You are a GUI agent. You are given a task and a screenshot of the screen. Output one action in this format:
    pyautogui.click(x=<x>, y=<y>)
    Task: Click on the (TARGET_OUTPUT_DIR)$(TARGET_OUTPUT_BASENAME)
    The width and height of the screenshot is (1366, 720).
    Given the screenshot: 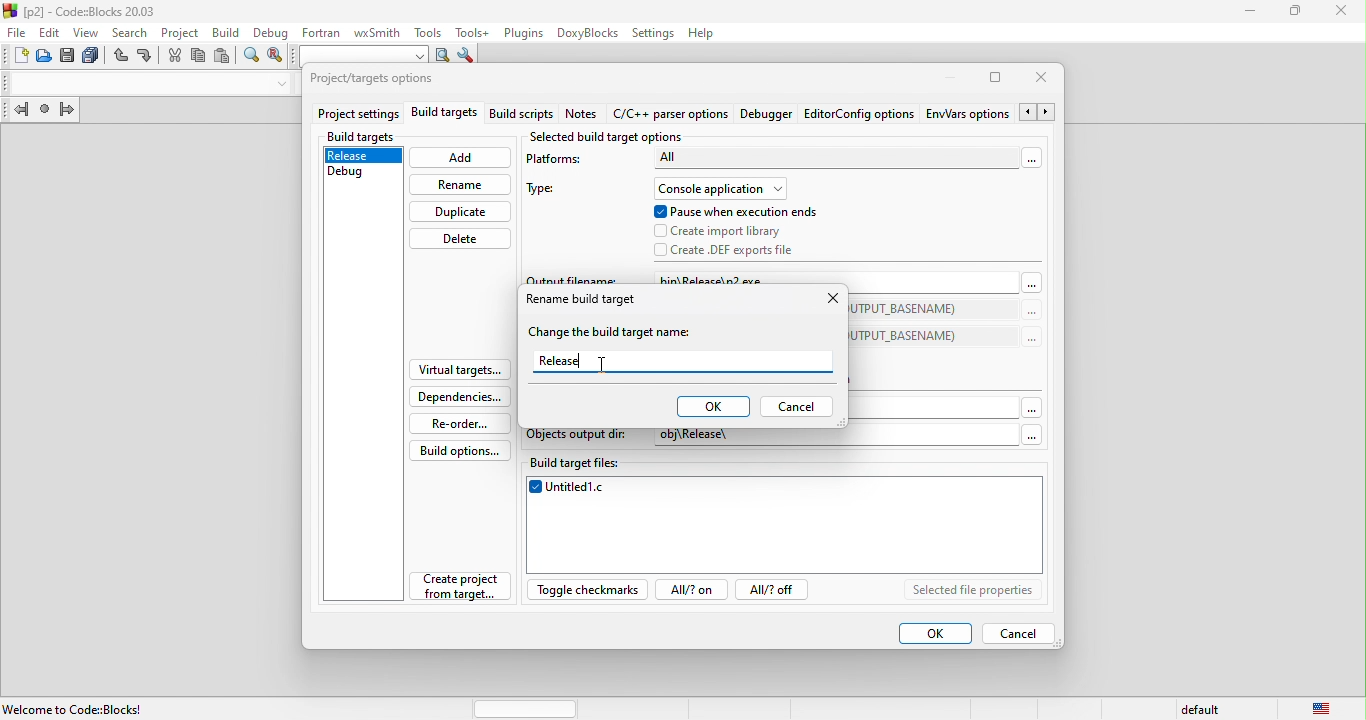 What is the action you would take?
    pyautogui.click(x=910, y=310)
    